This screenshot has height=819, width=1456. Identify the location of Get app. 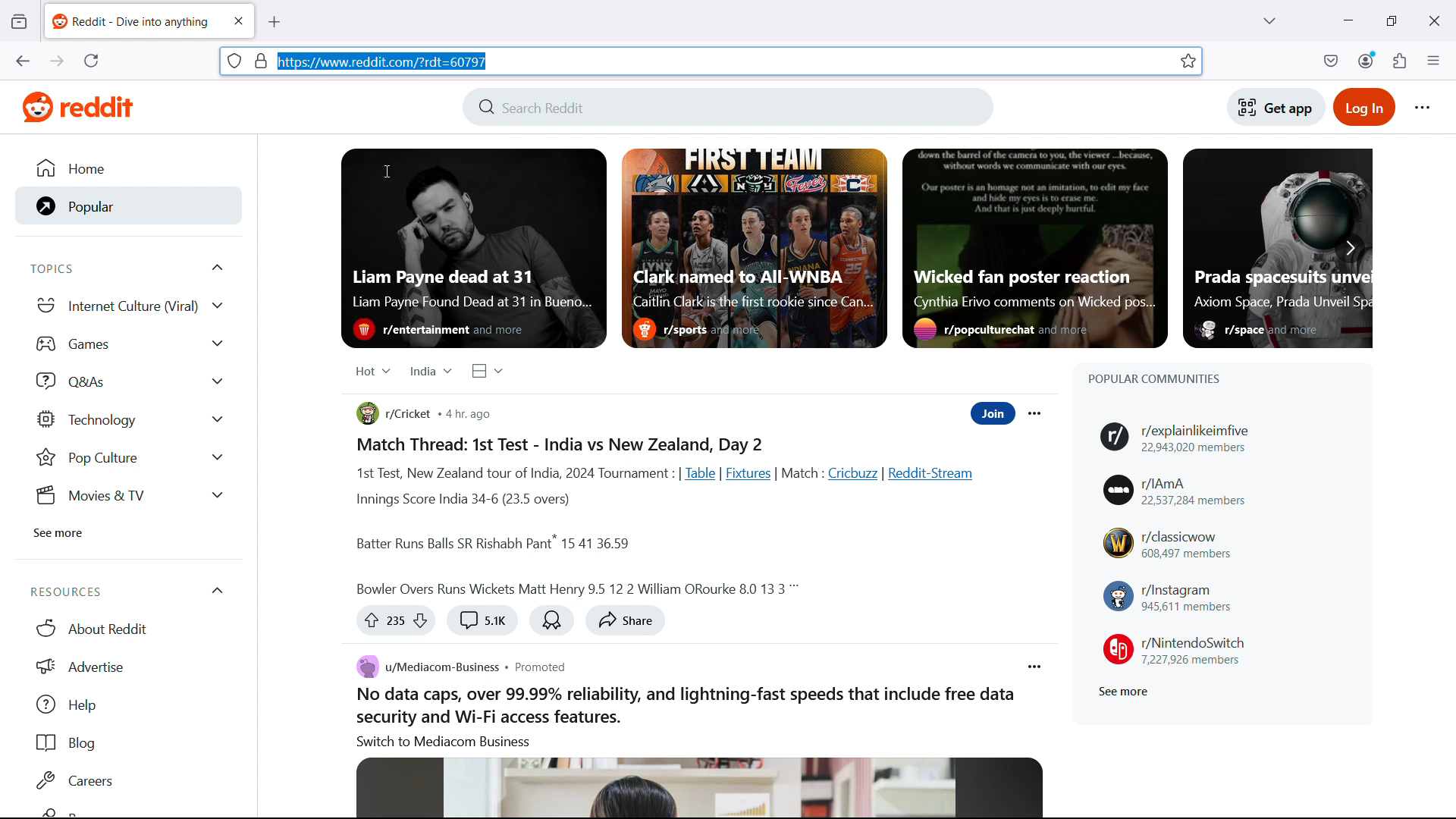
(1276, 106).